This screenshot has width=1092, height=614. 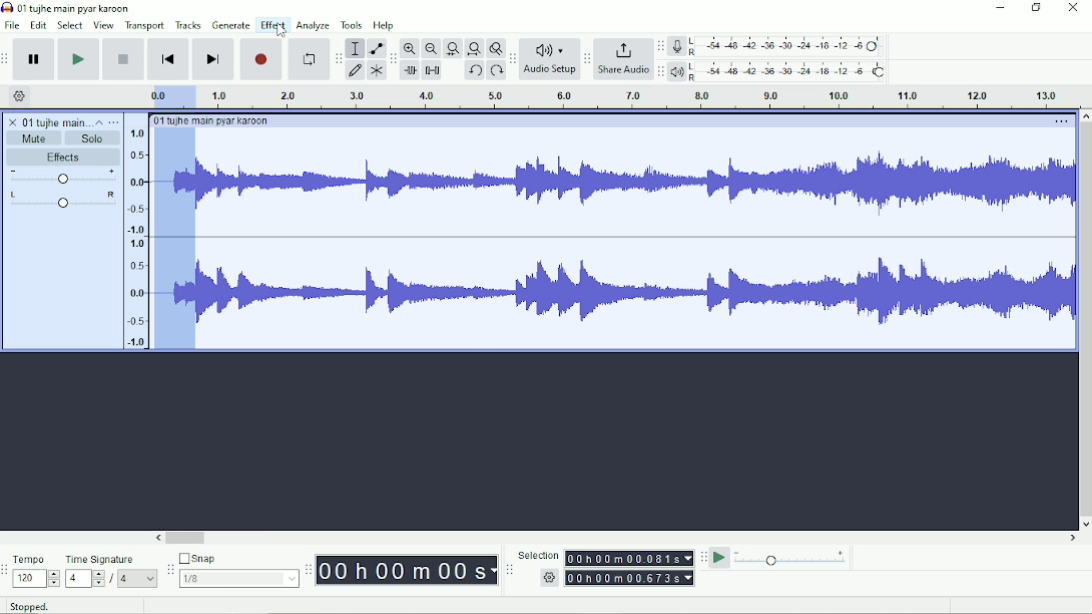 I want to click on Multi-tool, so click(x=376, y=73).